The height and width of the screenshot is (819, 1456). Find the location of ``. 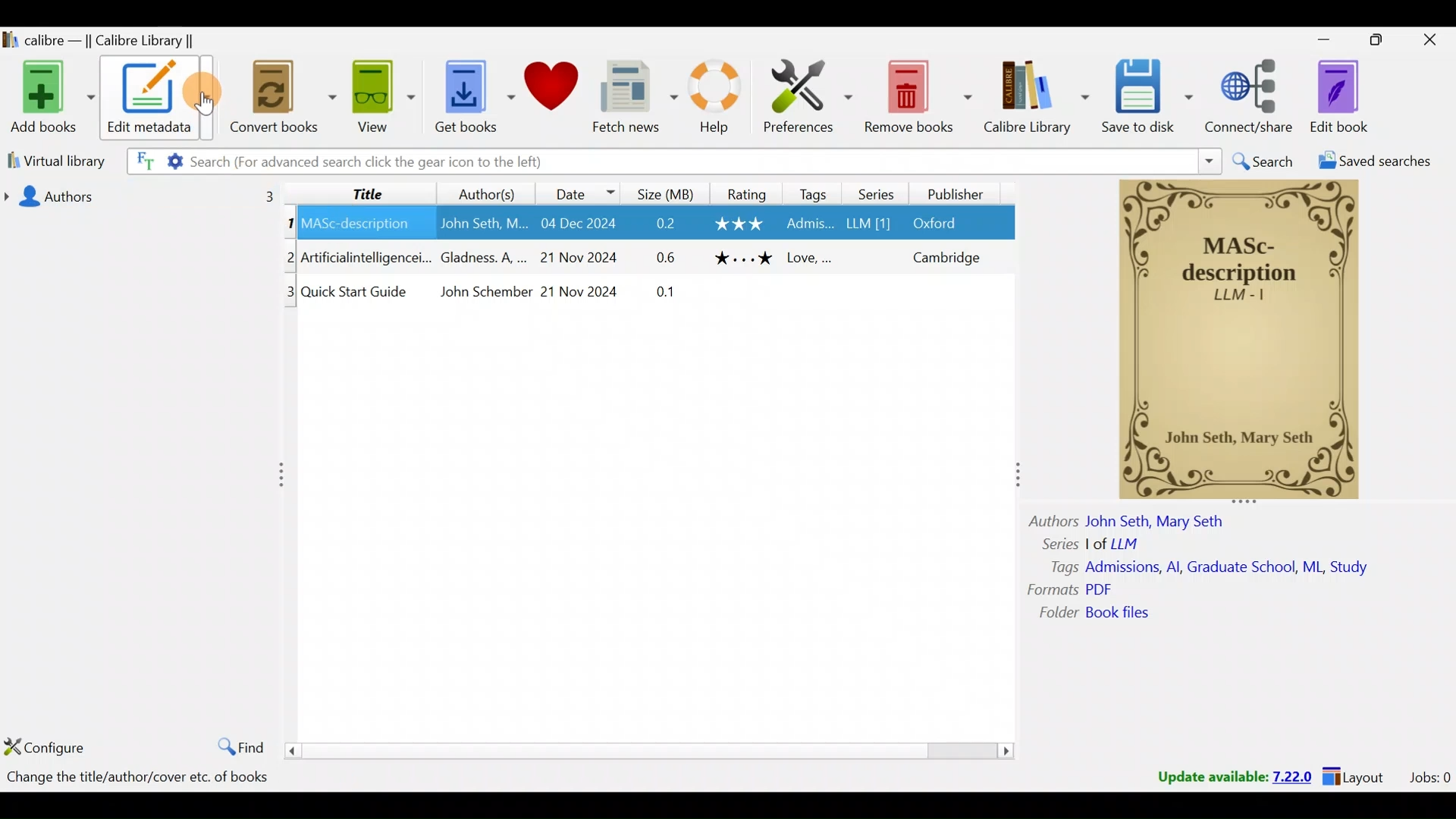

 is located at coordinates (283, 477).